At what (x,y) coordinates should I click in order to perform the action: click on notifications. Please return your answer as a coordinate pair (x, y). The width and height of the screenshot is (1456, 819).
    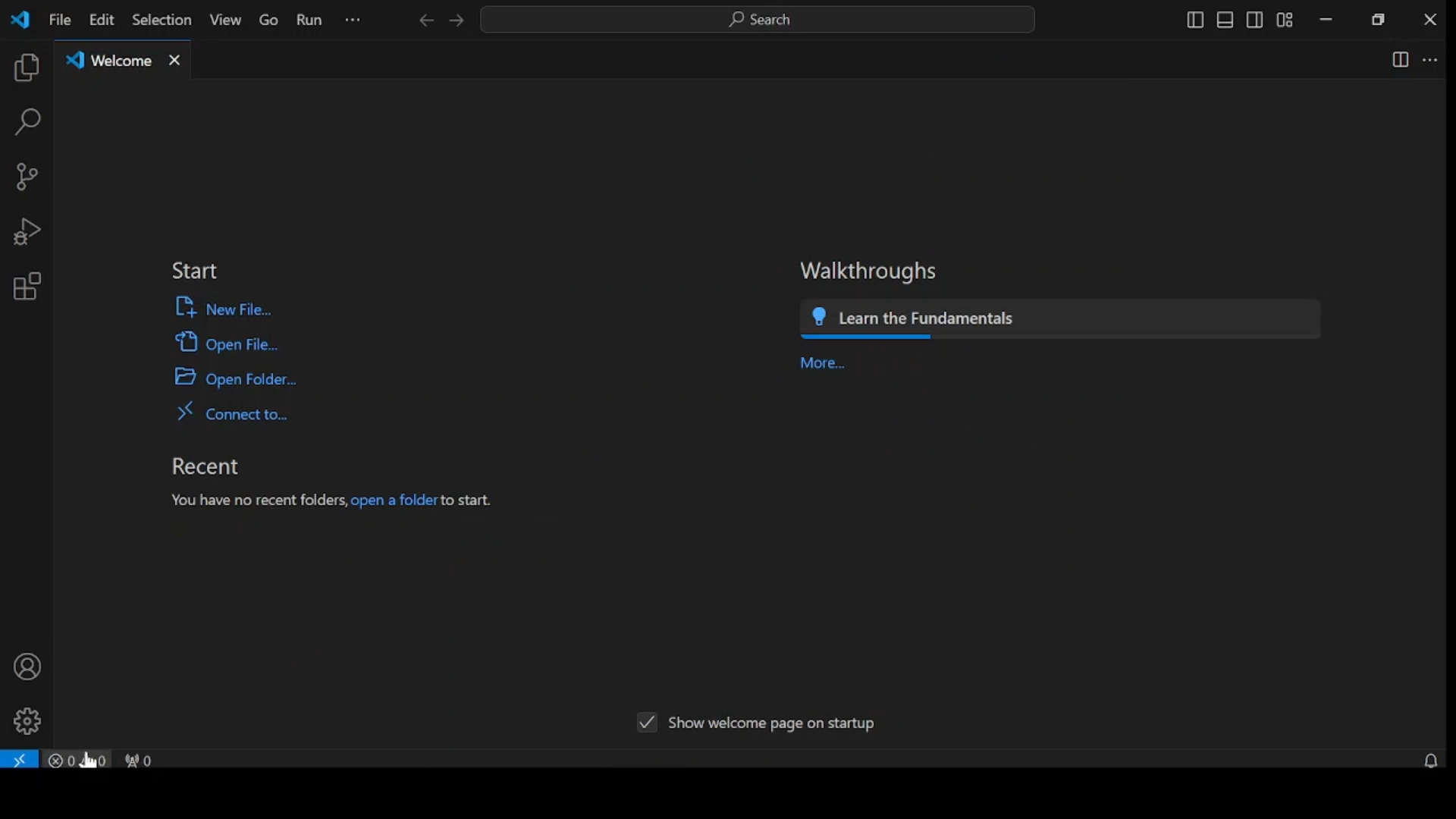
    Looking at the image, I should click on (1432, 760).